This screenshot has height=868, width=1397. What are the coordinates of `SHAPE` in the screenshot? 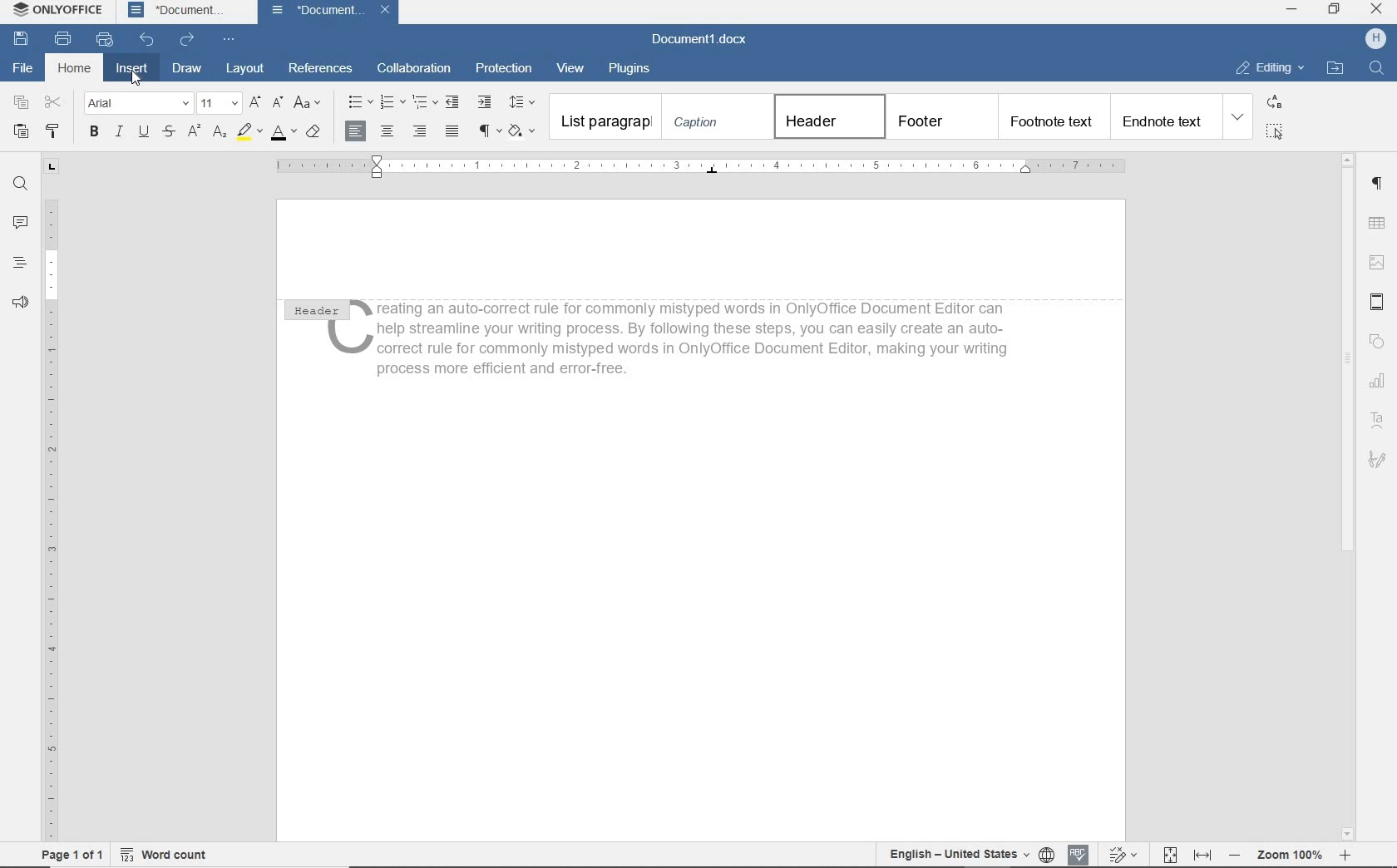 It's located at (1378, 343).